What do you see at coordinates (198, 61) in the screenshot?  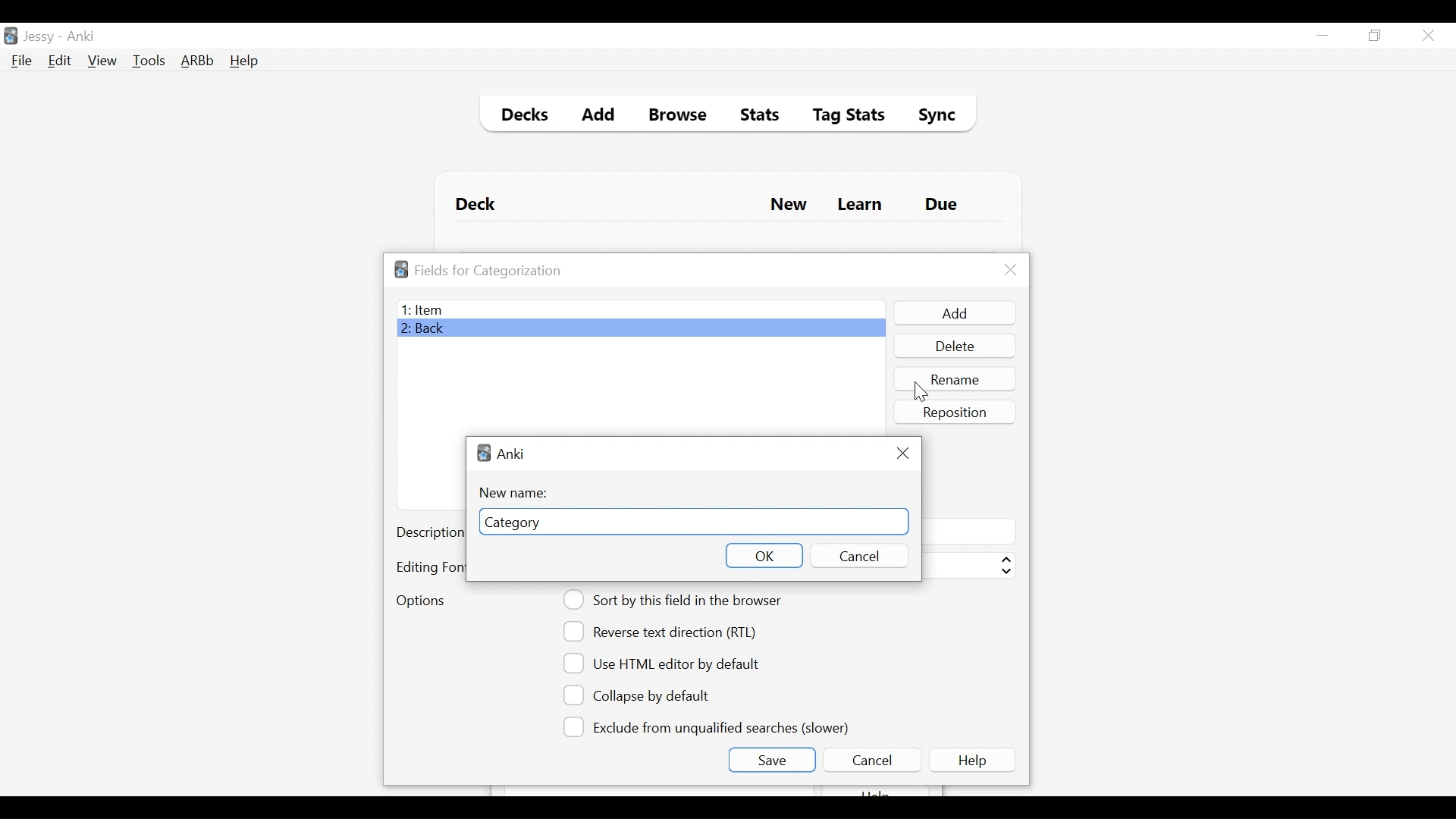 I see `Advanced Review Button bar` at bounding box center [198, 61].